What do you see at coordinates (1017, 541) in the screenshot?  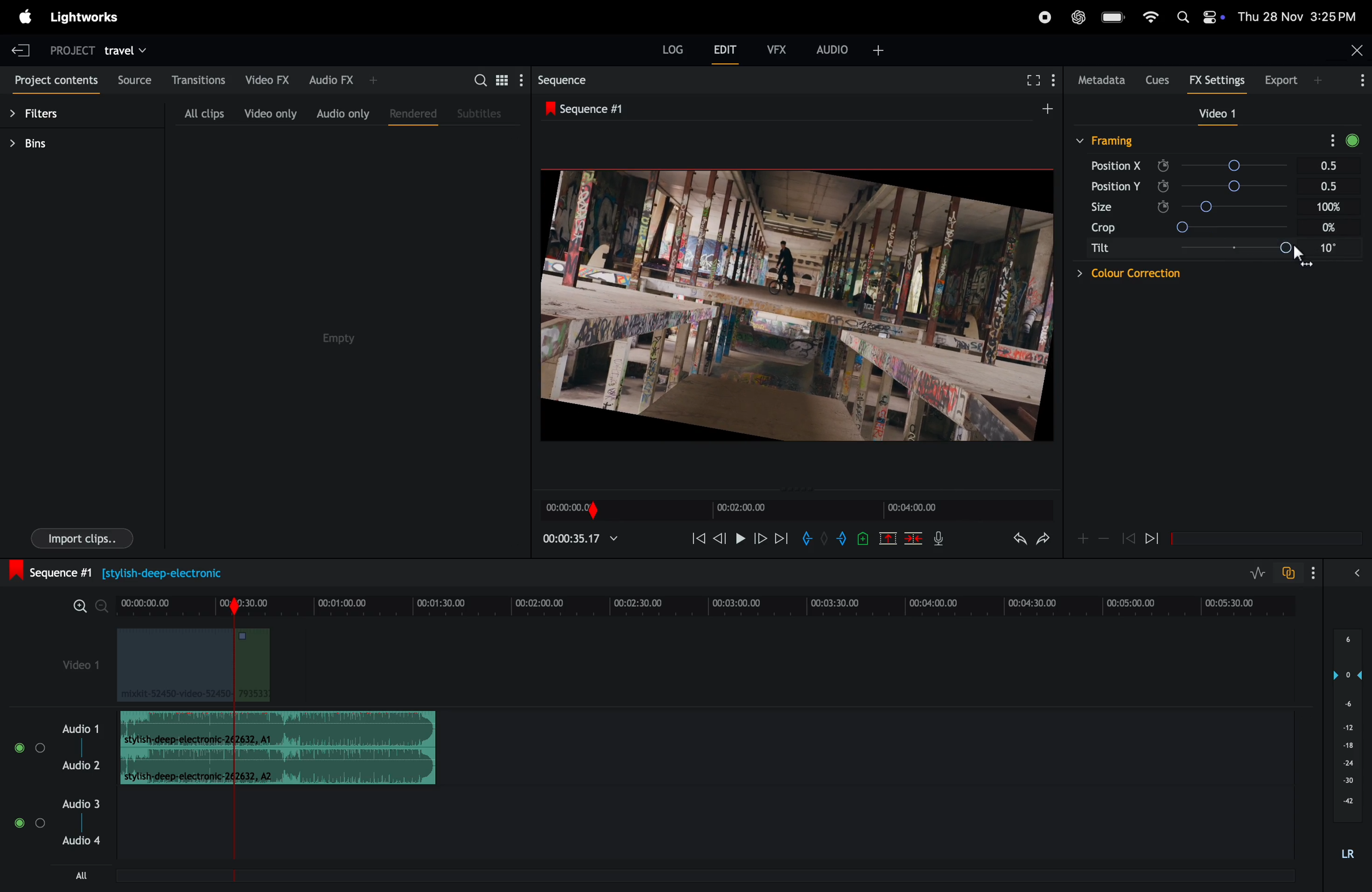 I see `undo` at bounding box center [1017, 541].